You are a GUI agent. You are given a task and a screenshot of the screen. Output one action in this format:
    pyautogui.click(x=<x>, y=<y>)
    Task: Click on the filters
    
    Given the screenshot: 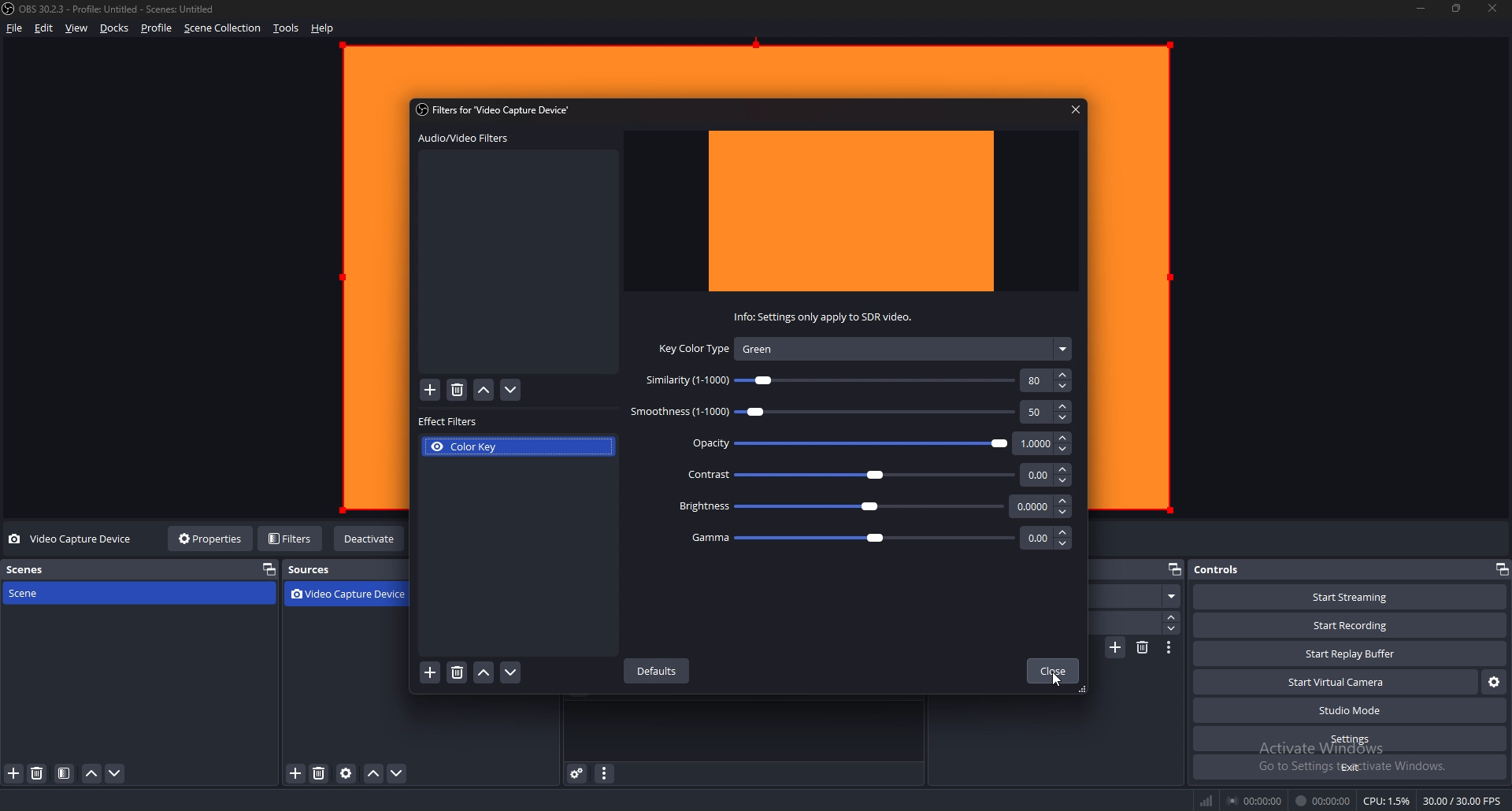 What is the action you would take?
    pyautogui.click(x=291, y=538)
    